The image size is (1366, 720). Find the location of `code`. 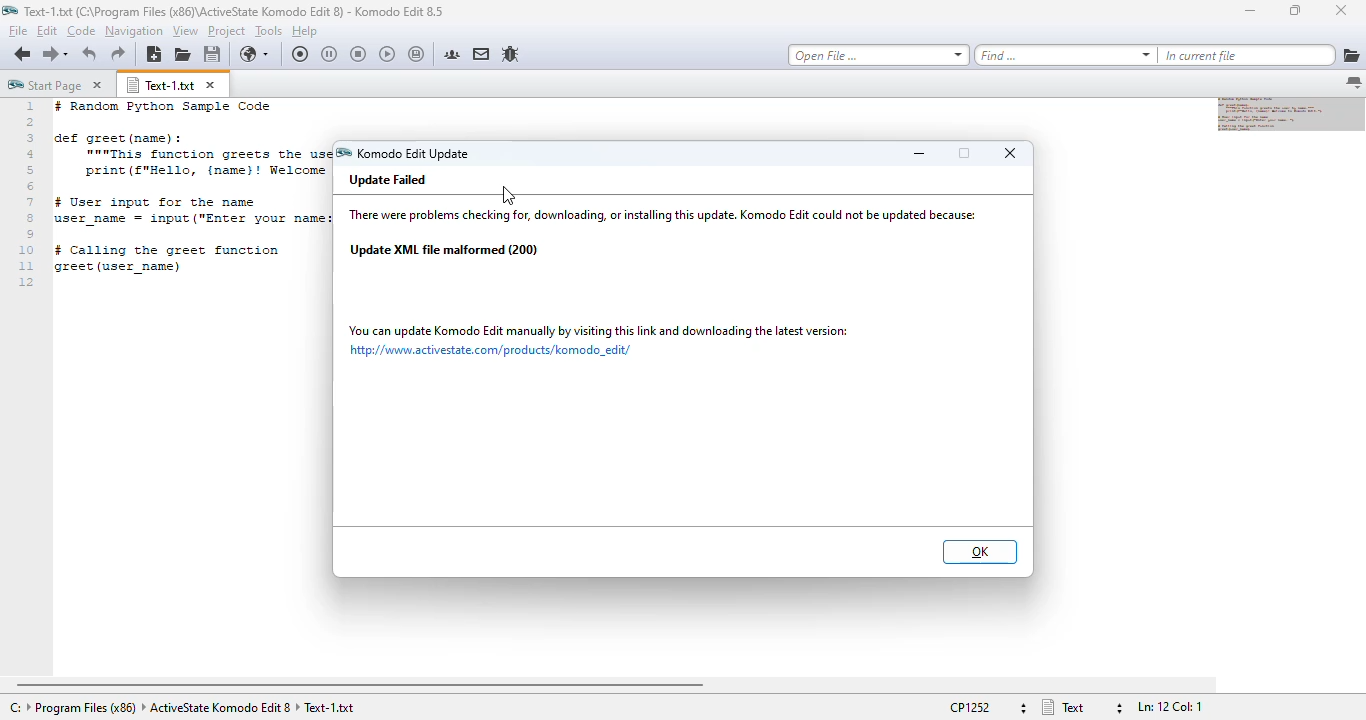

code is located at coordinates (190, 188).